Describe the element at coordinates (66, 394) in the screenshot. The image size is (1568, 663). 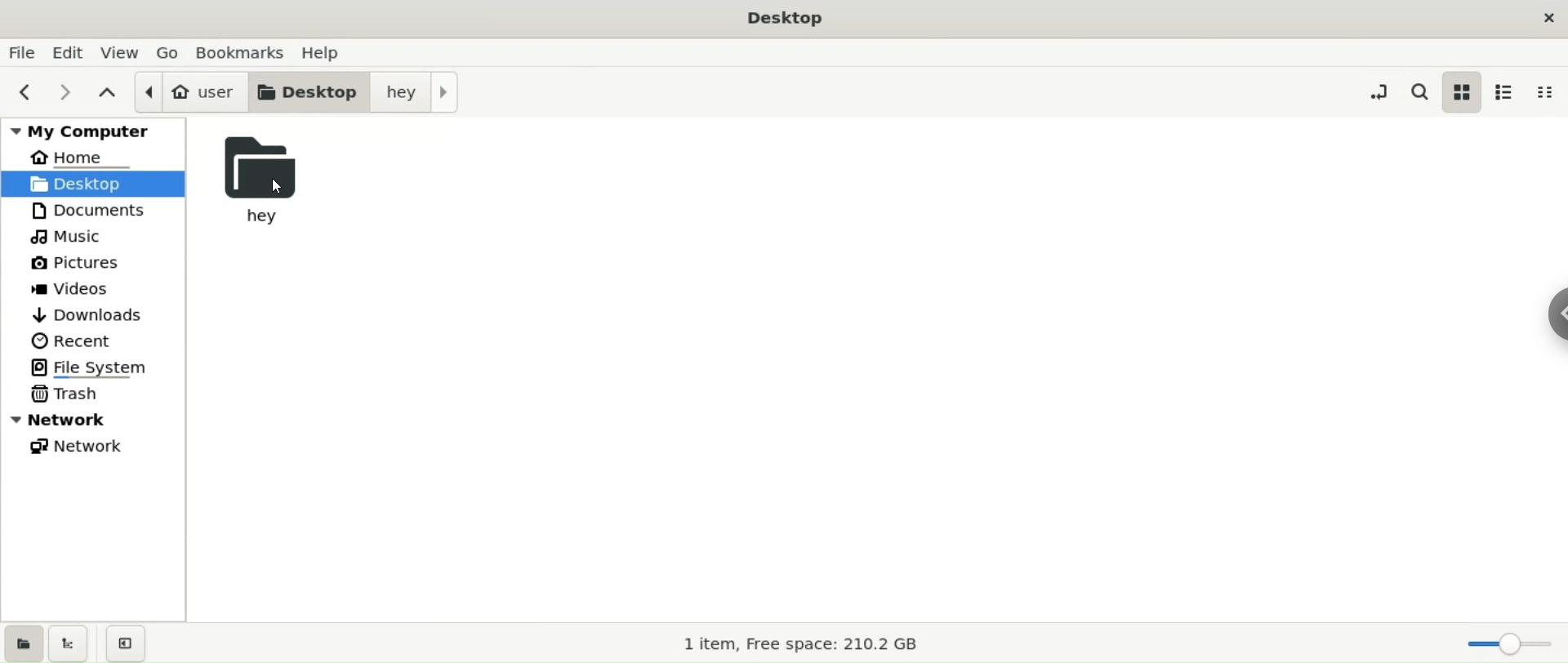
I see `trash` at that location.